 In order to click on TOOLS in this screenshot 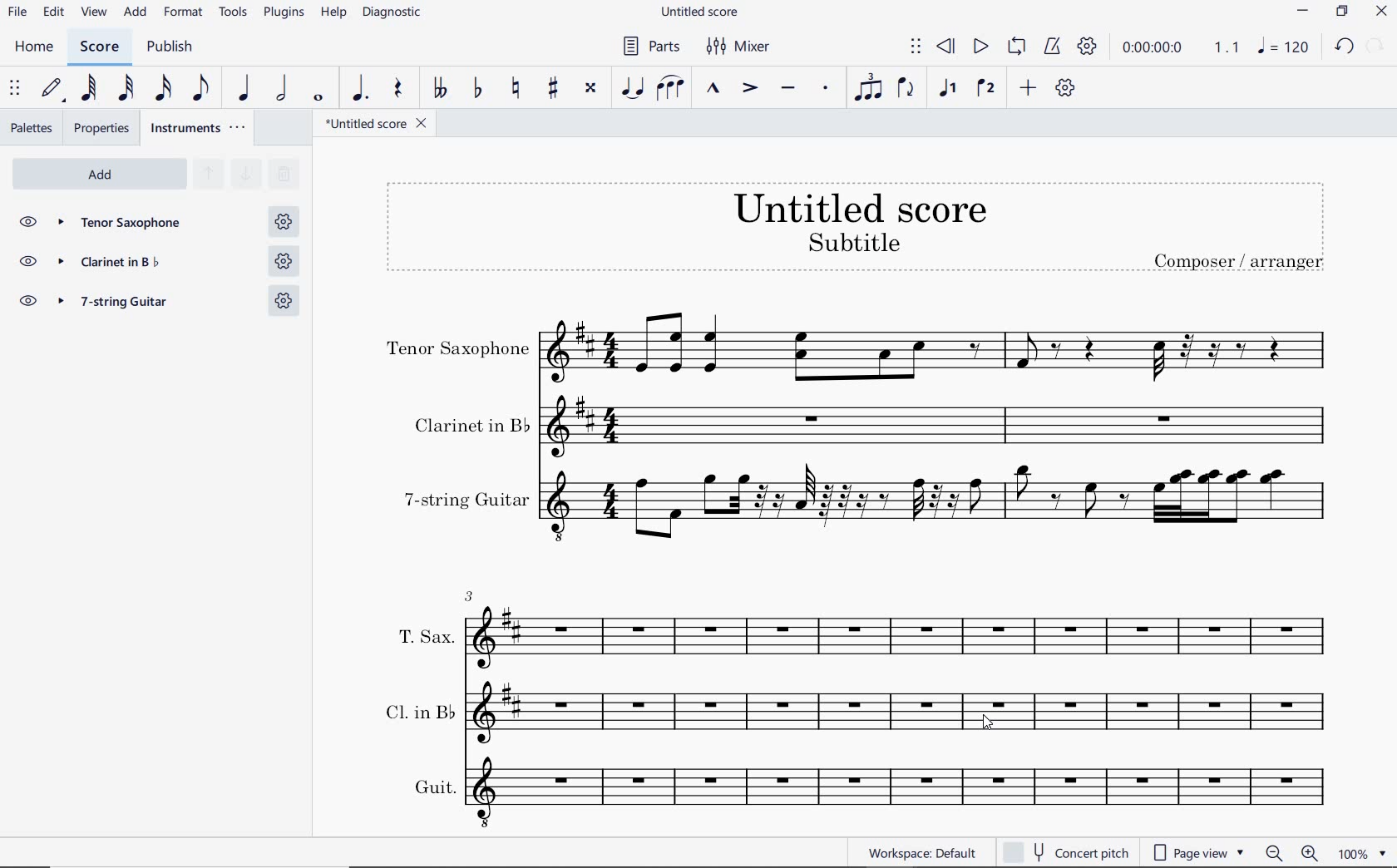, I will do `click(234, 11)`.